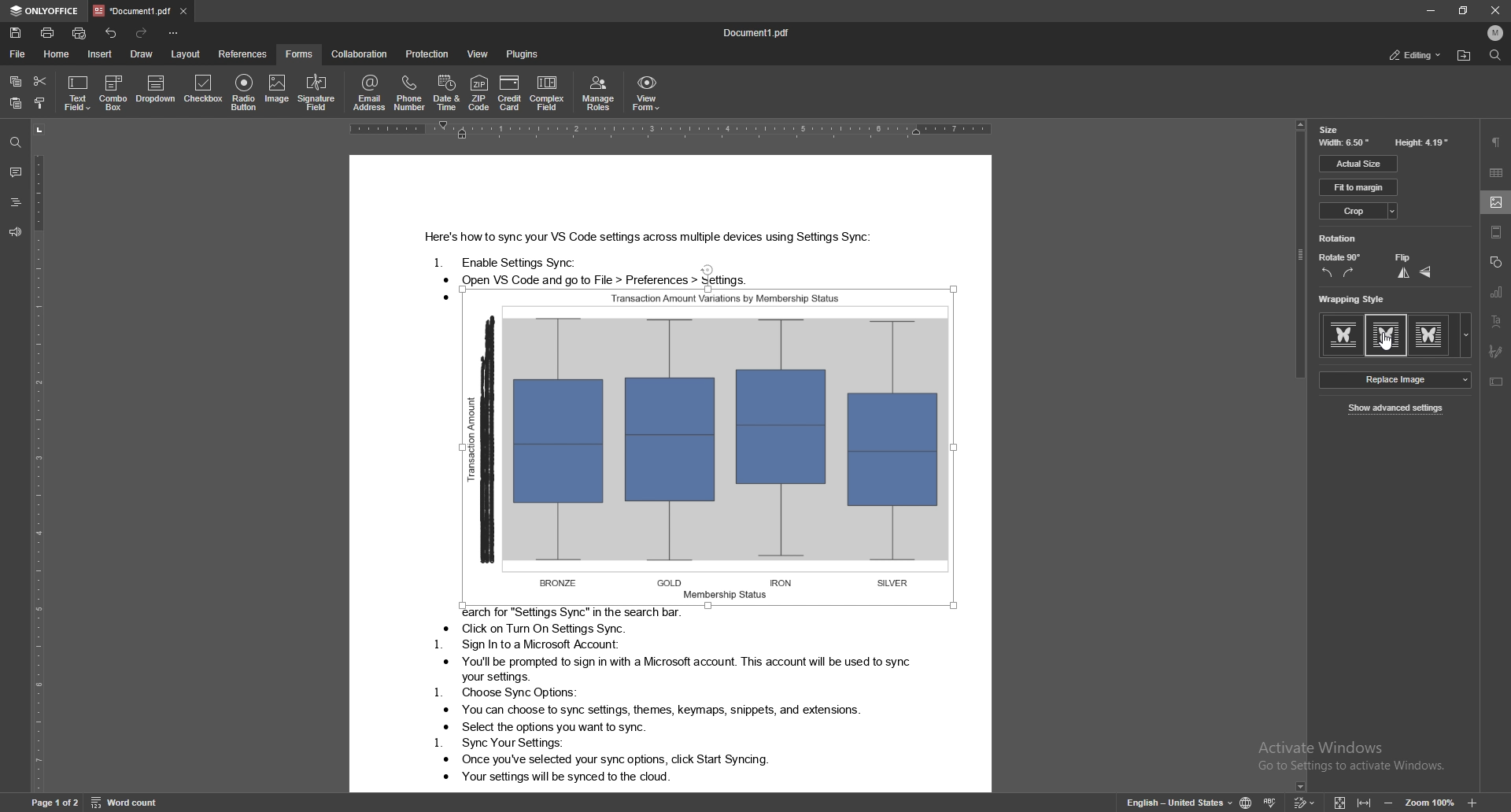 The image size is (1511, 812). What do you see at coordinates (1498, 292) in the screenshot?
I see `chart` at bounding box center [1498, 292].